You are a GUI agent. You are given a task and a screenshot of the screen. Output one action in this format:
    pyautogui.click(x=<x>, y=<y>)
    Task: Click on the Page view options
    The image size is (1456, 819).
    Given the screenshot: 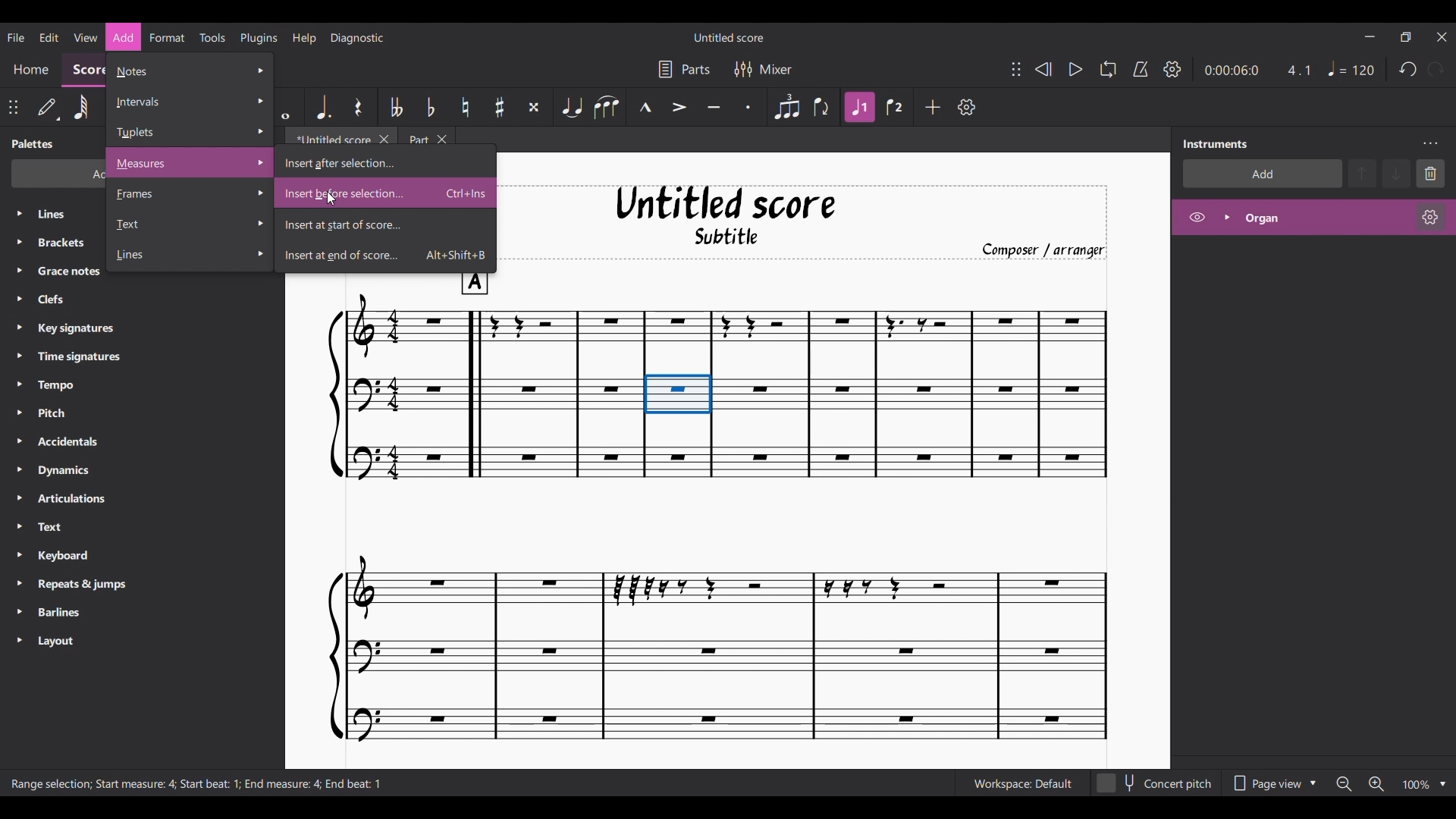 What is the action you would take?
    pyautogui.click(x=1272, y=783)
    